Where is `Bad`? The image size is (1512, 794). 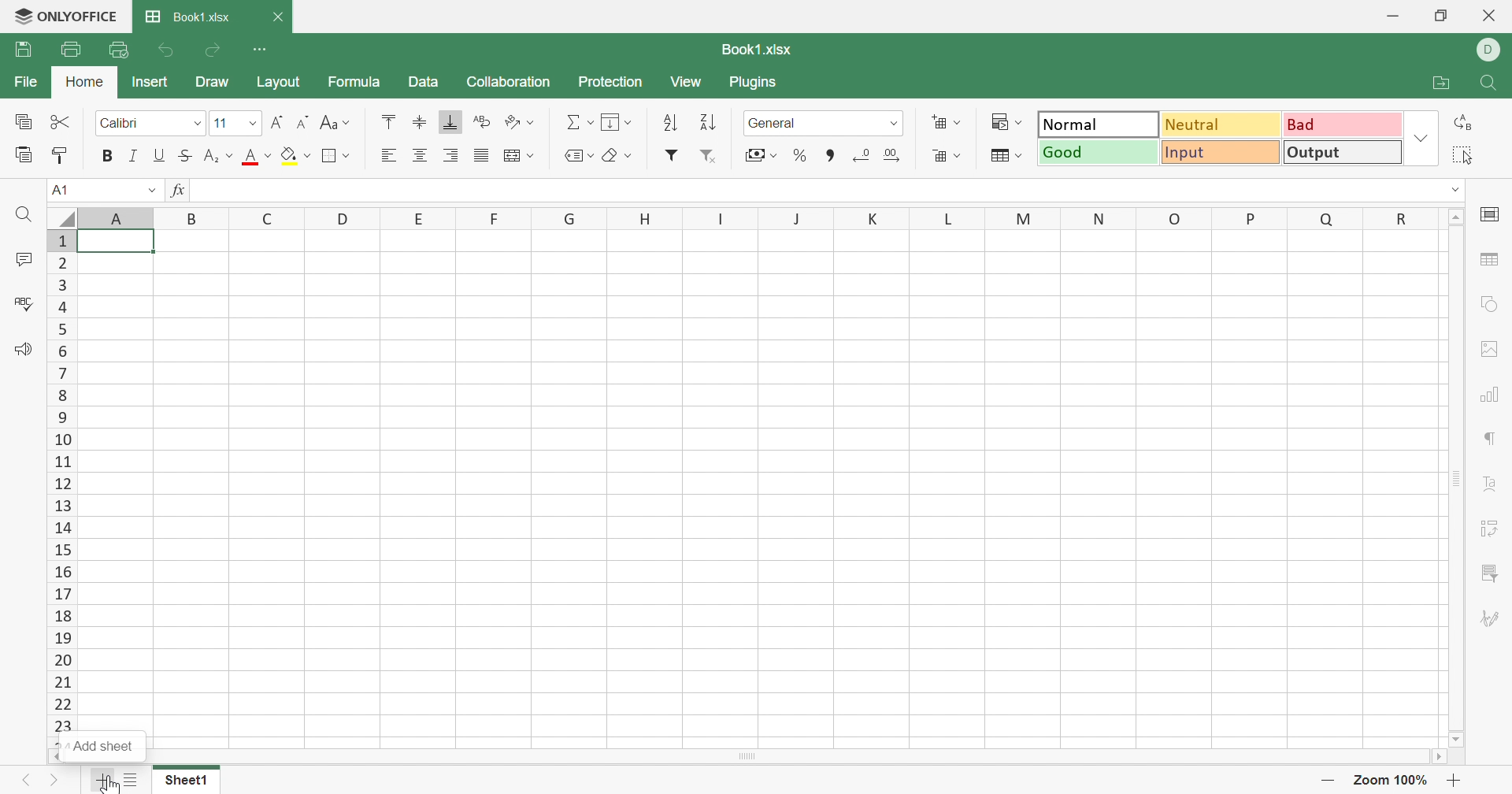 Bad is located at coordinates (1337, 125).